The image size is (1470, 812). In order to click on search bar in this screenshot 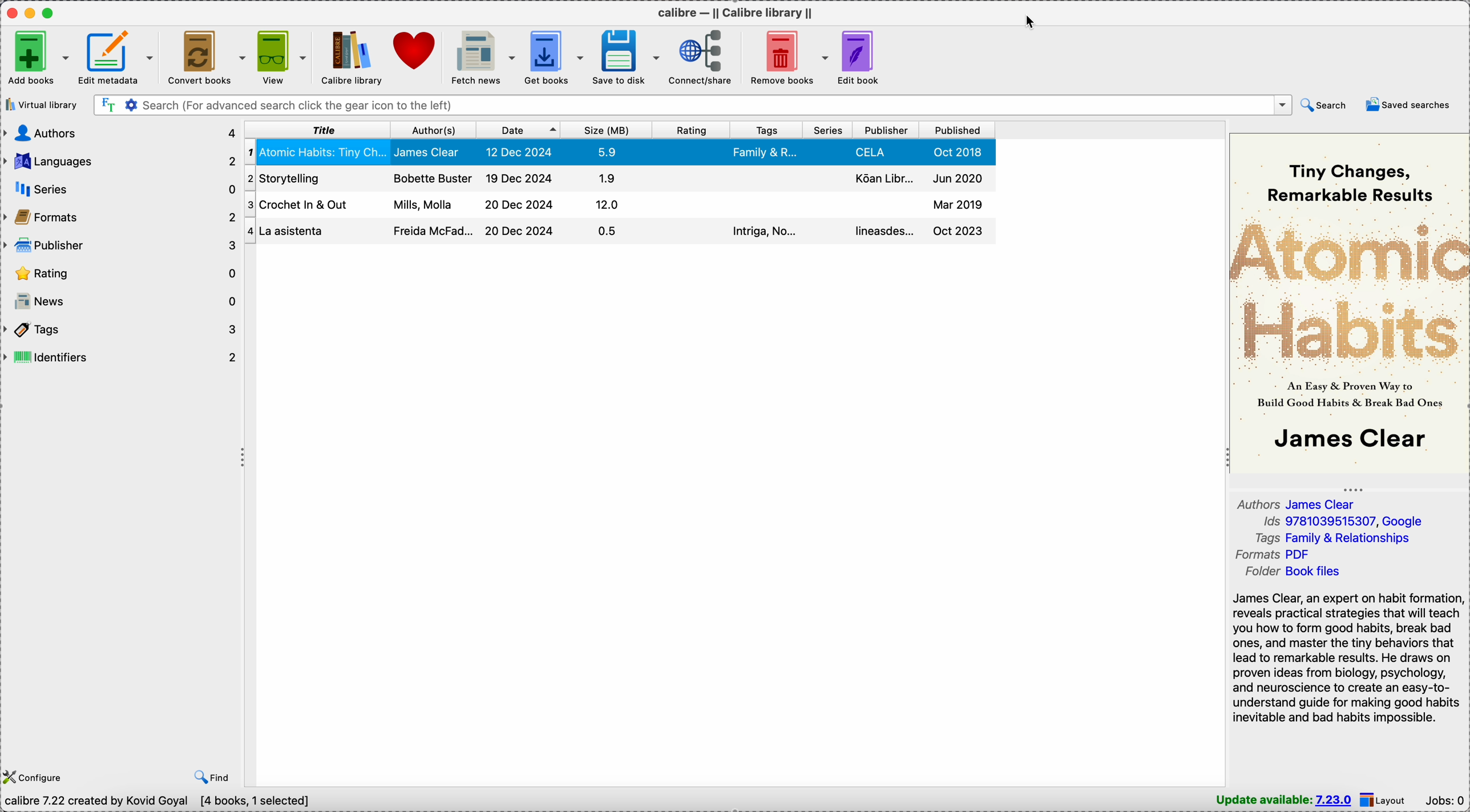, I will do `click(692, 104)`.